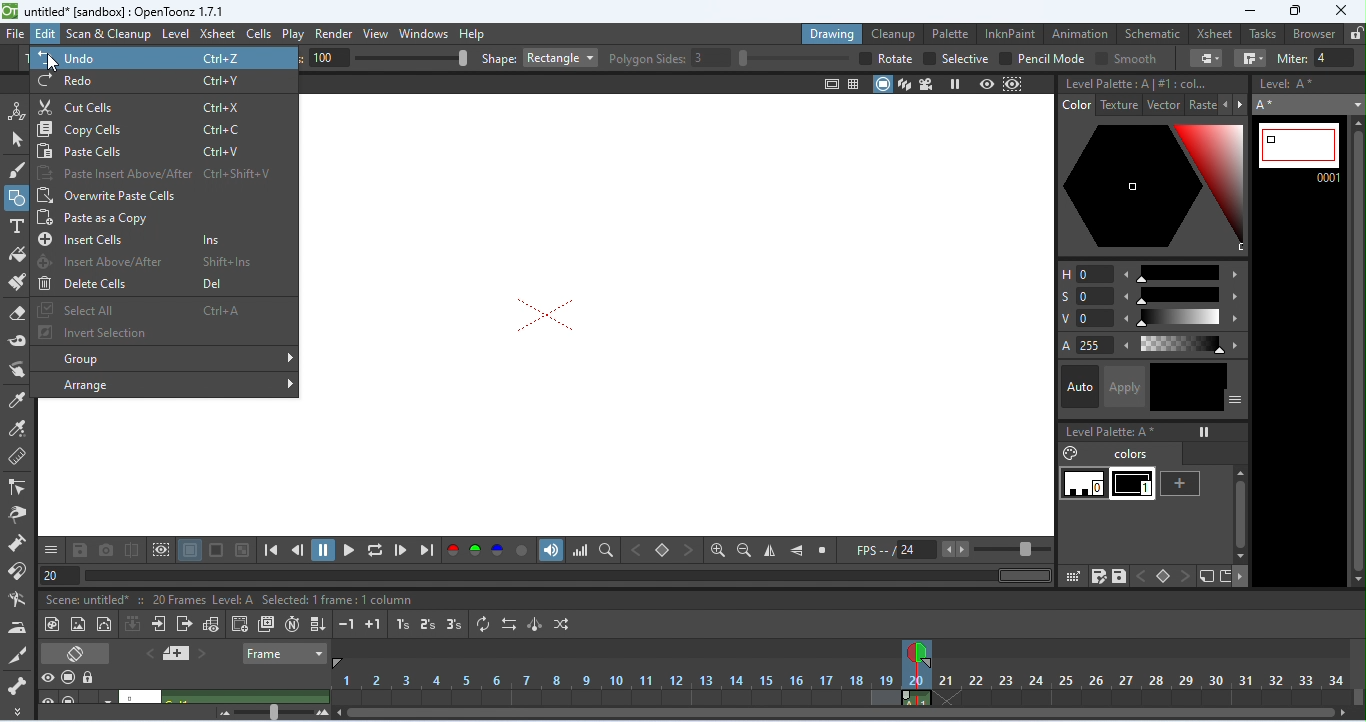 The height and width of the screenshot is (722, 1366). What do you see at coordinates (166, 57) in the screenshot?
I see `undo` at bounding box center [166, 57].